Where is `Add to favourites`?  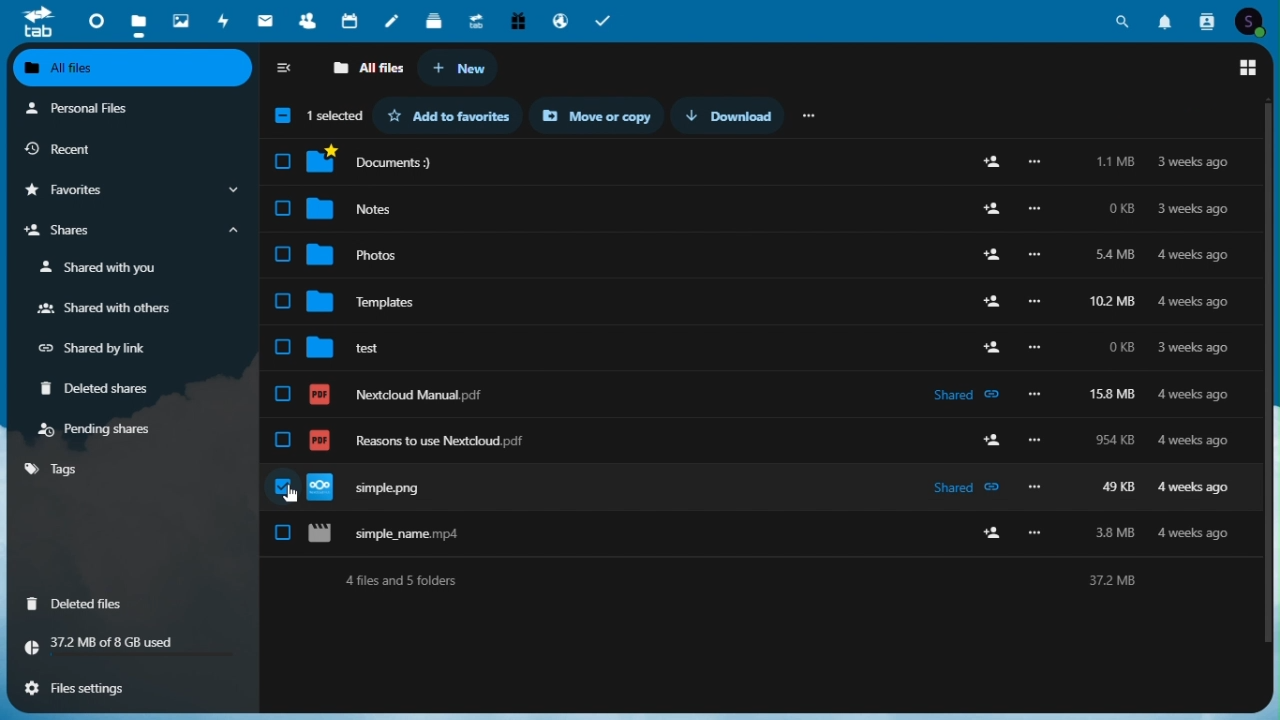 Add to favourites is located at coordinates (456, 115).